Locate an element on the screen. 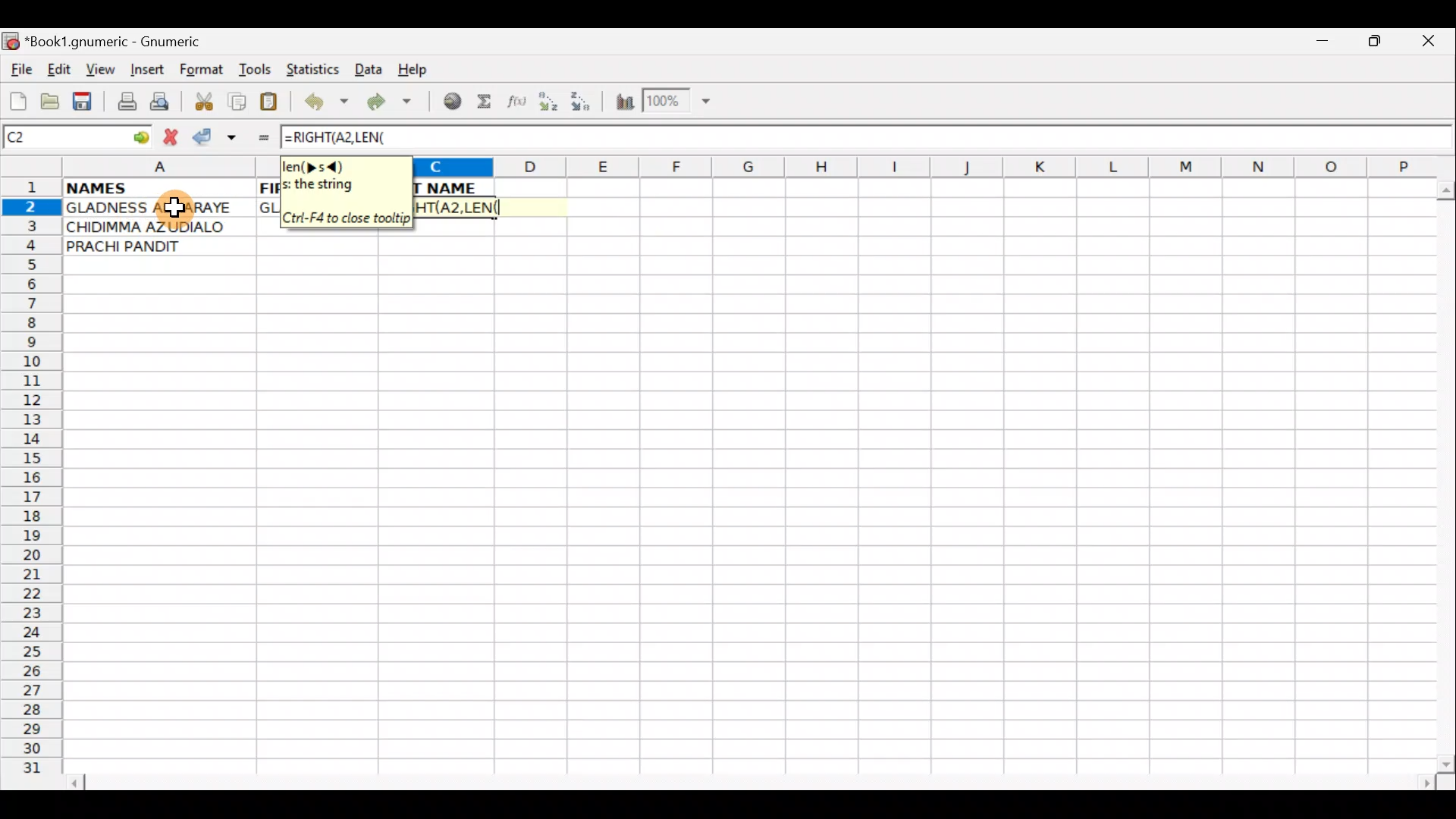  Cell name C2 is located at coordinates (61, 138).